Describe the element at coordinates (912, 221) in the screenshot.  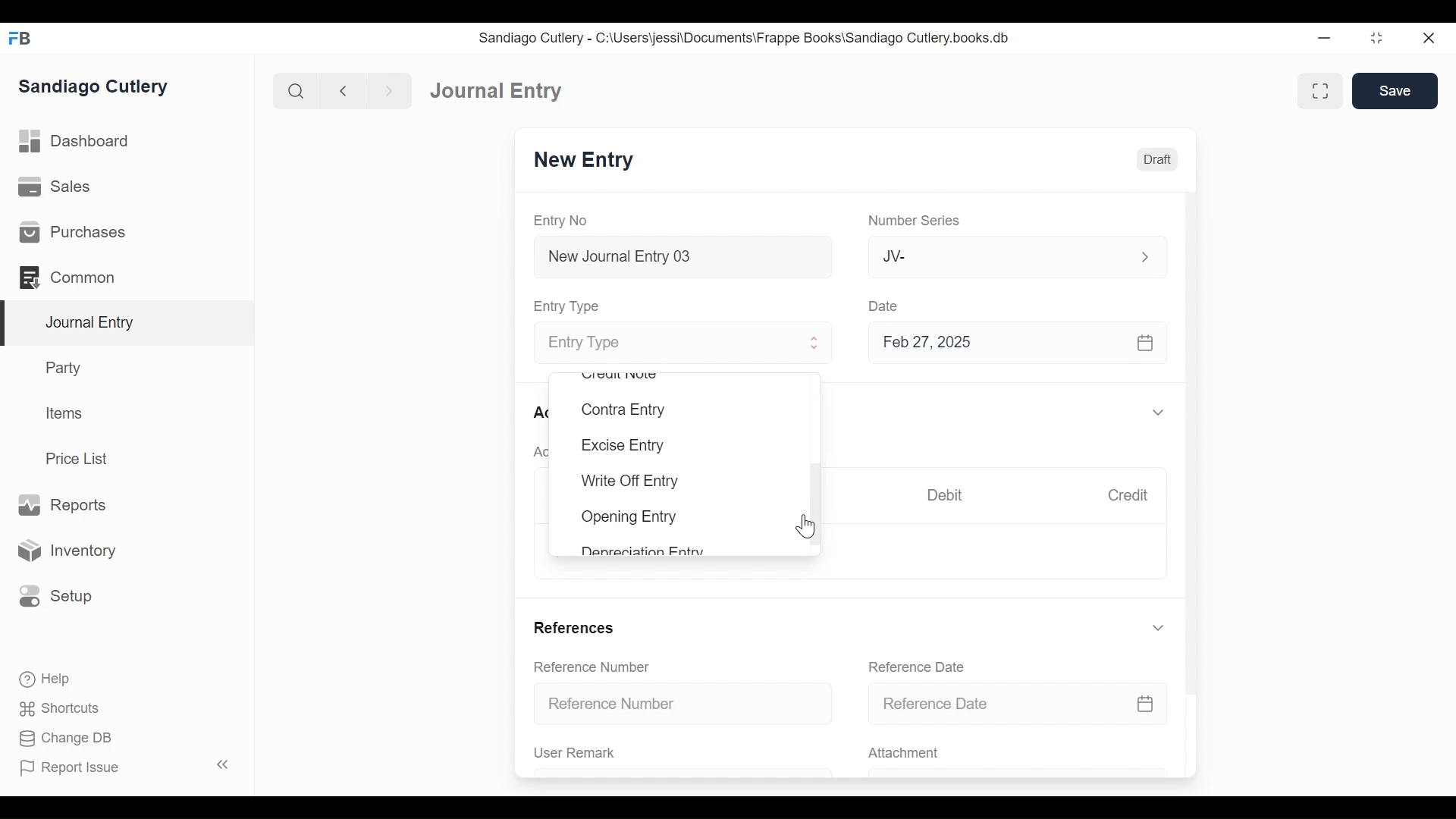
I see `Number Series` at that location.